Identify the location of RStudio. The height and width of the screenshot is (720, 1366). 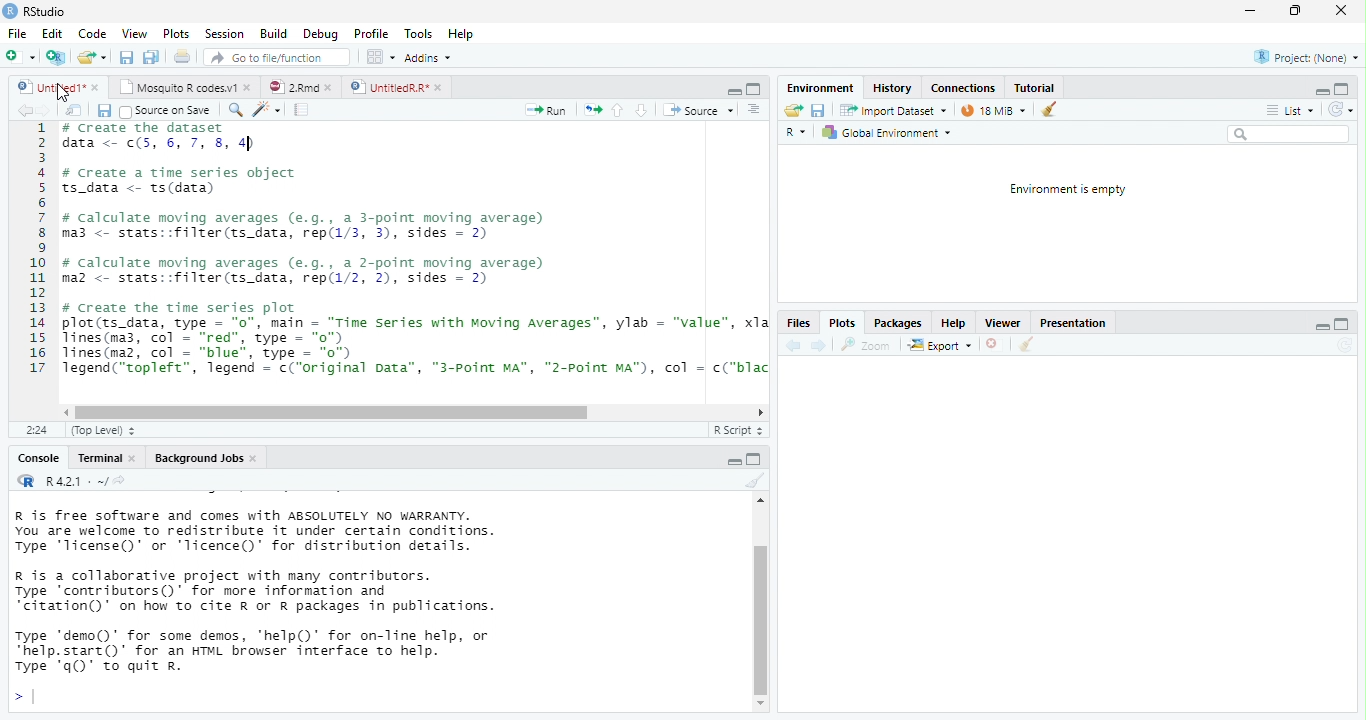
(36, 10).